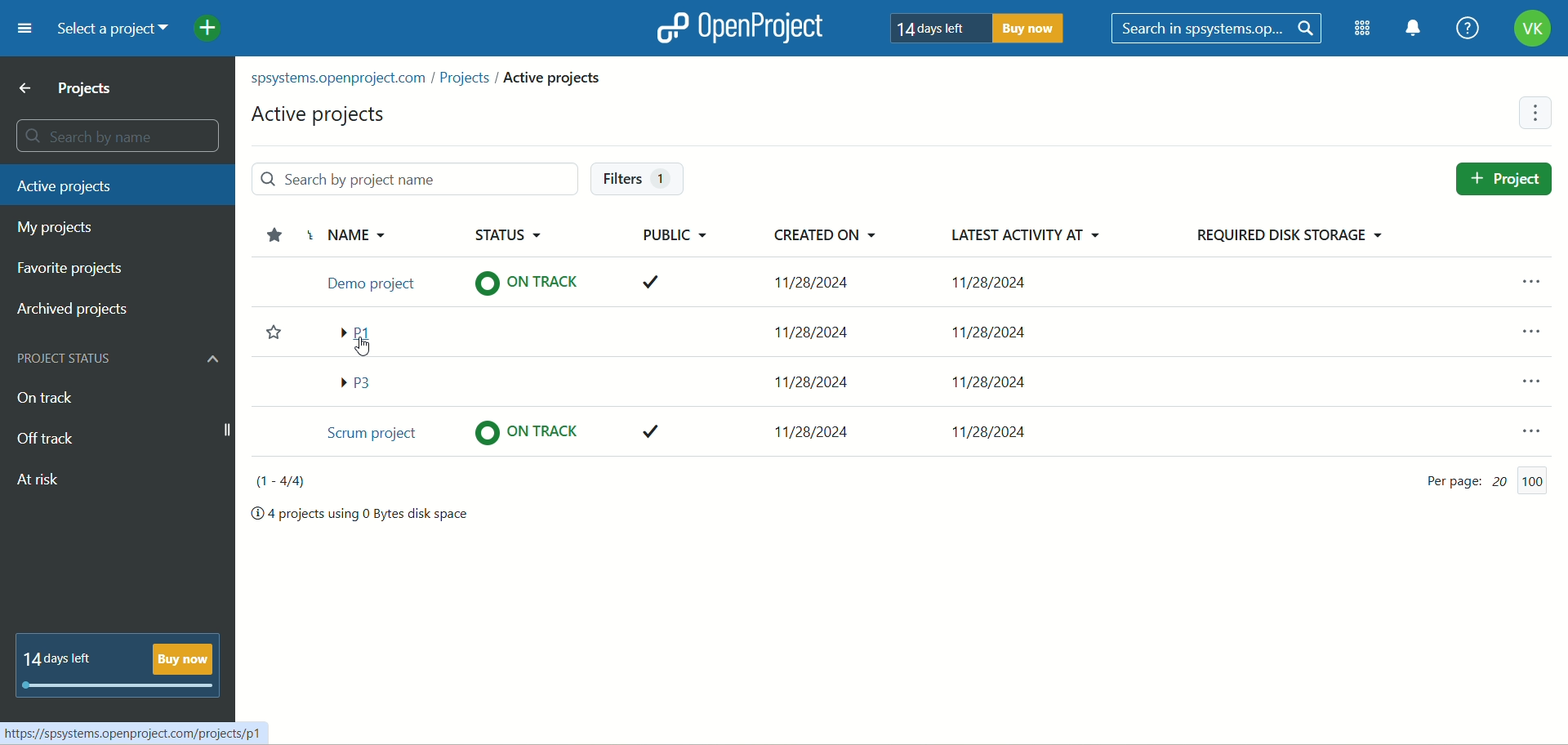  I want to click on menu, so click(19, 31).